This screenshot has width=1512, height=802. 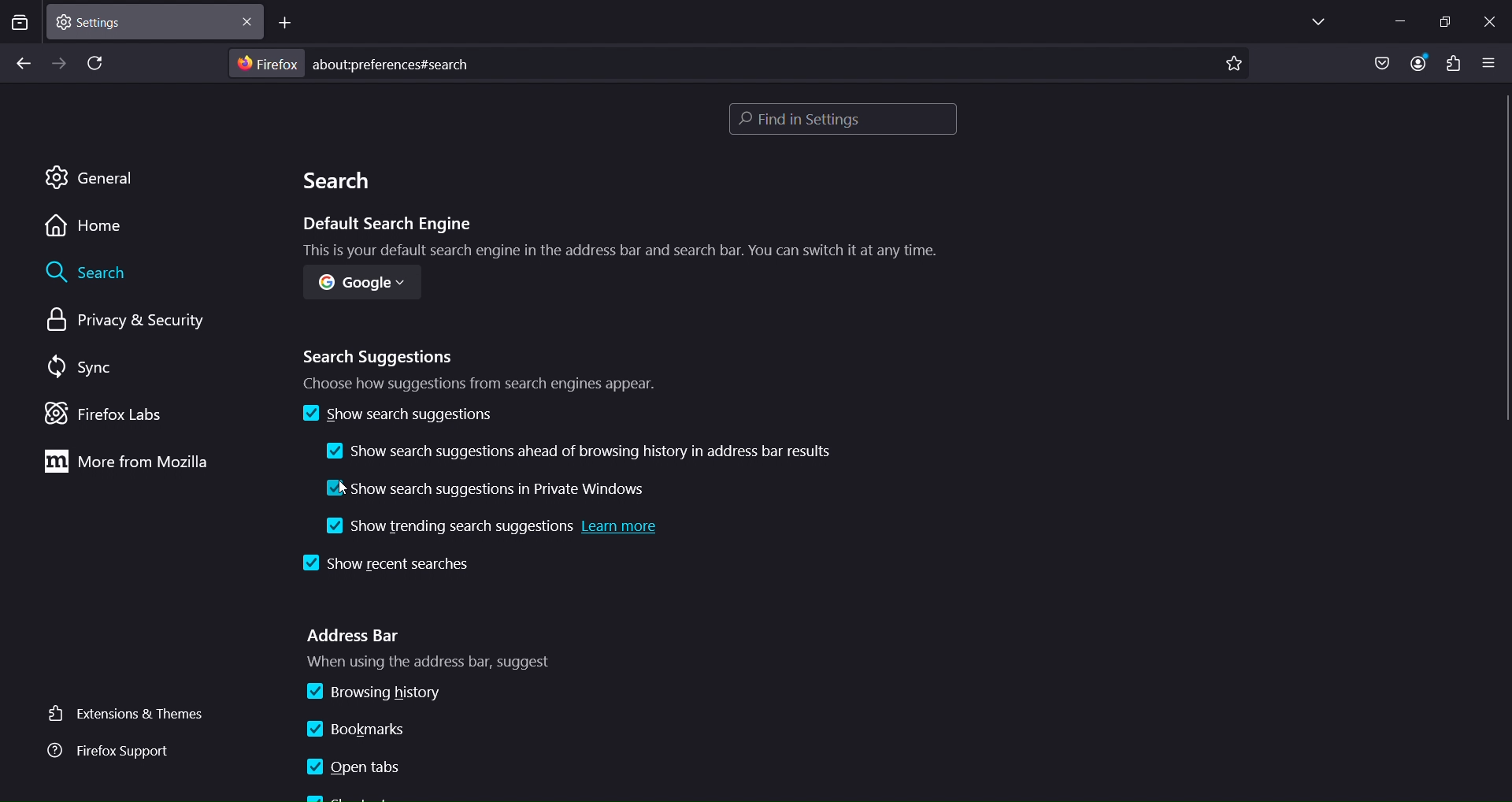 What do you see at coordinates (587, 451) in the screenshot?
I see `show search suggestions ahead of browsing history in address bar results` at bounding box center [587, 451].